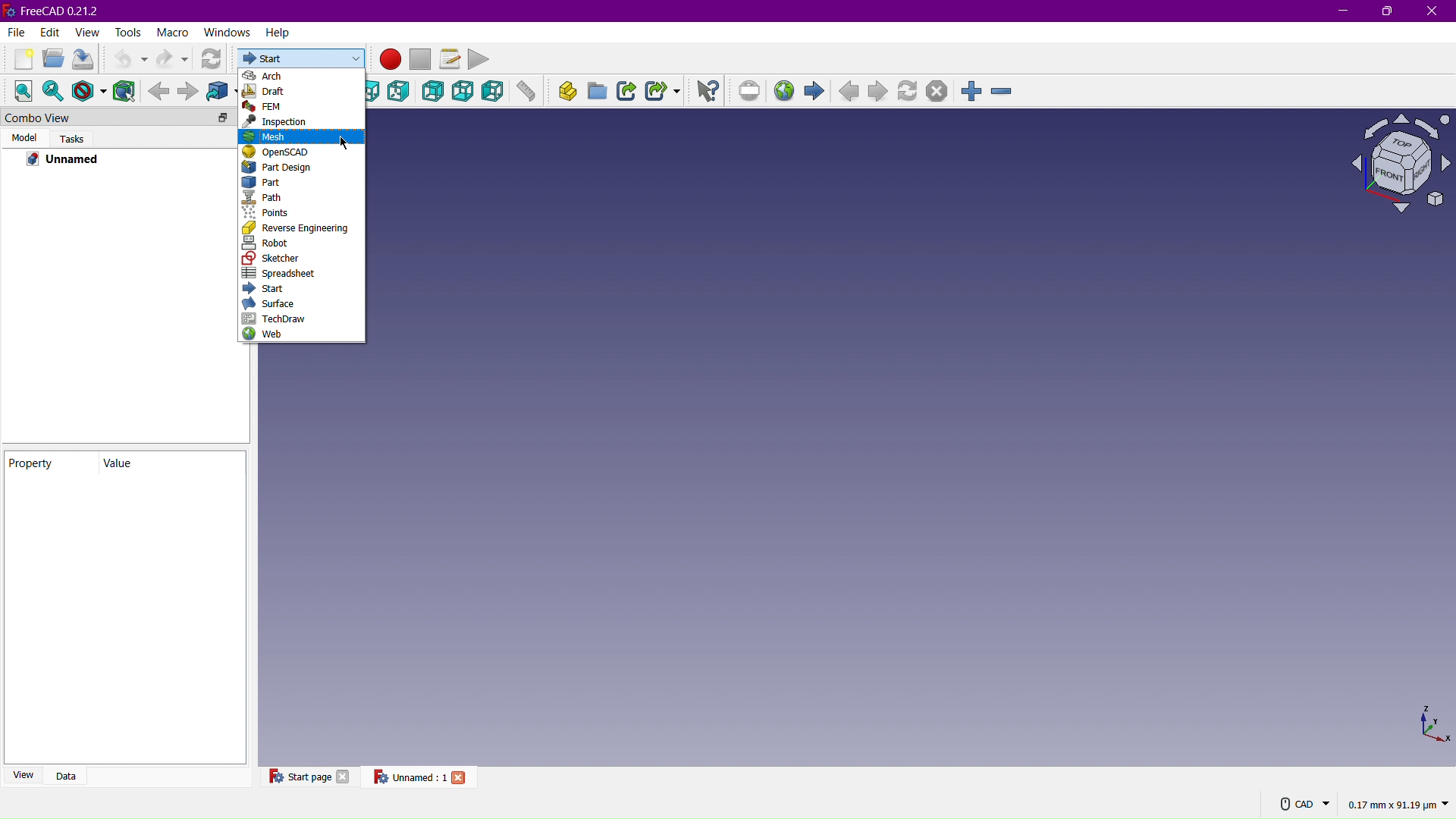 The width and height of the screenshot is (1456, 819). I want to click on Open webpage, so click(786, 92).